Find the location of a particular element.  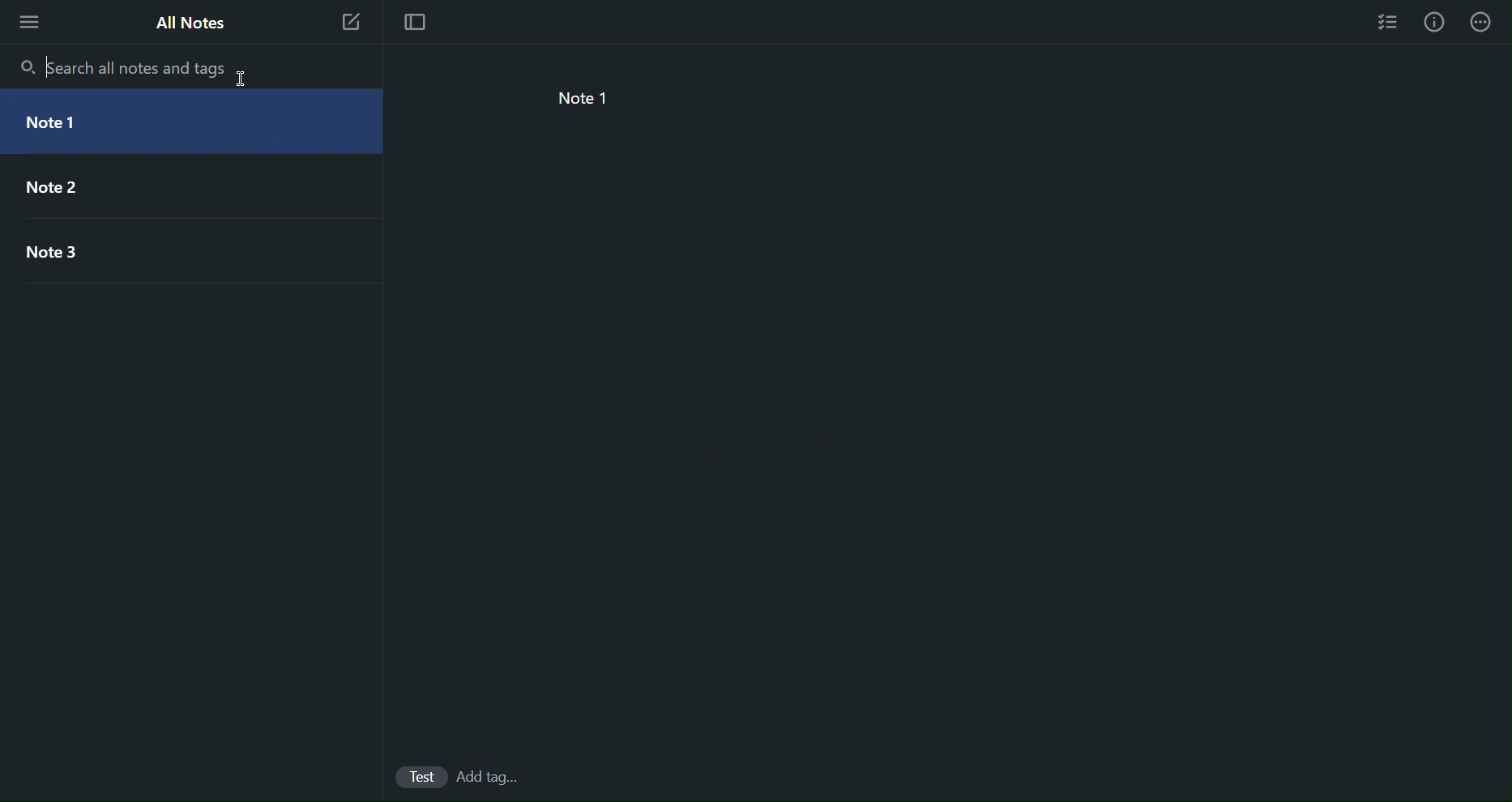

add Tags is located at coordinates (491, 779).